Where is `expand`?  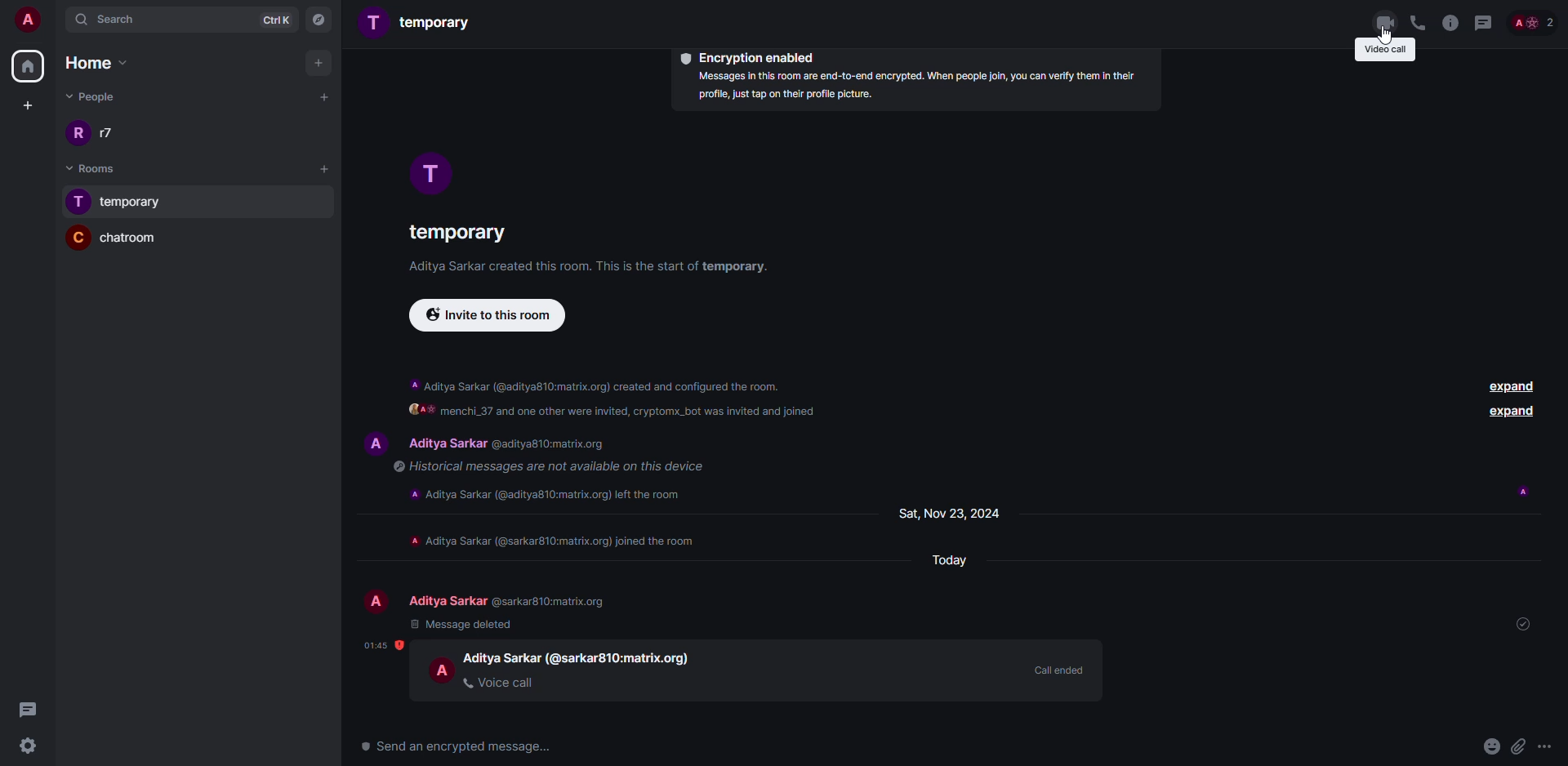 expand is located at coordinates (1512, 412).